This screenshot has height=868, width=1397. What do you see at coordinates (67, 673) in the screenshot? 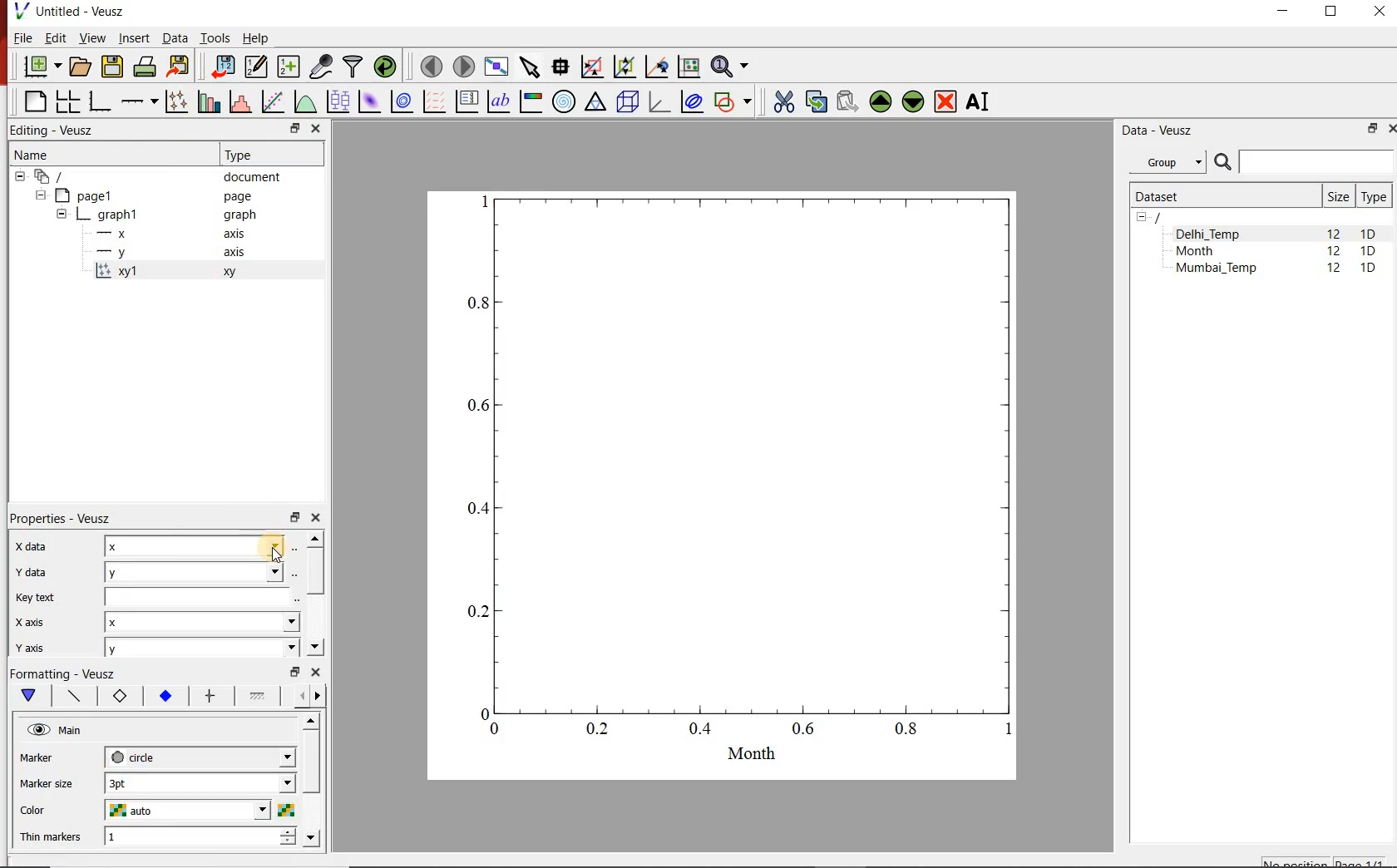
I see `Formatting - Veusz` at bounding box center [67, 673].